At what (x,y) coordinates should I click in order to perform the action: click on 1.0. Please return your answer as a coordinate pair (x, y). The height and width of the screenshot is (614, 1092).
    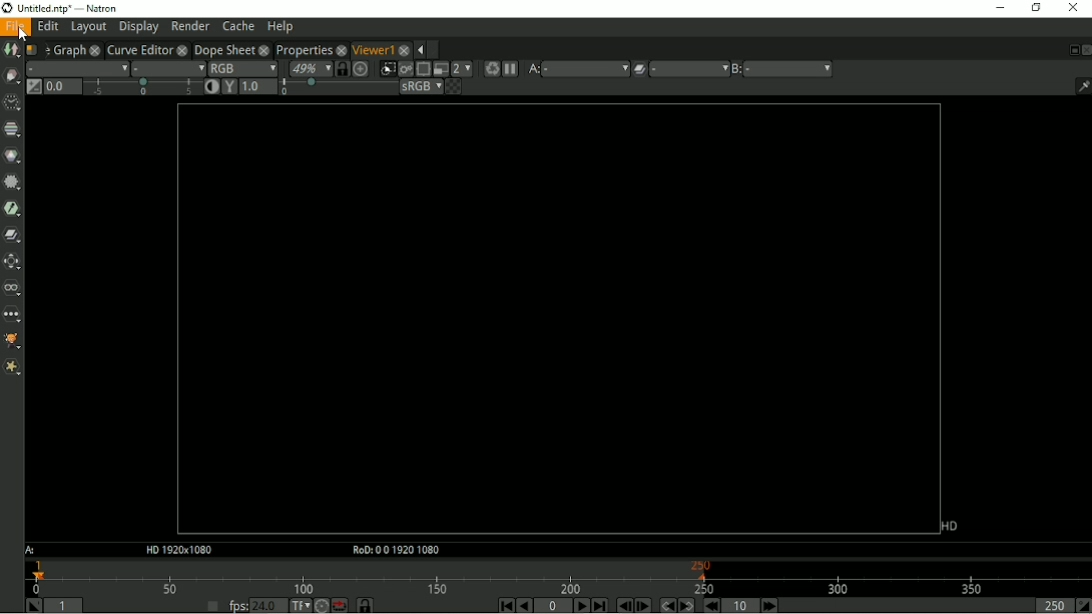
    Looking at the image, I should click on (258, 87).